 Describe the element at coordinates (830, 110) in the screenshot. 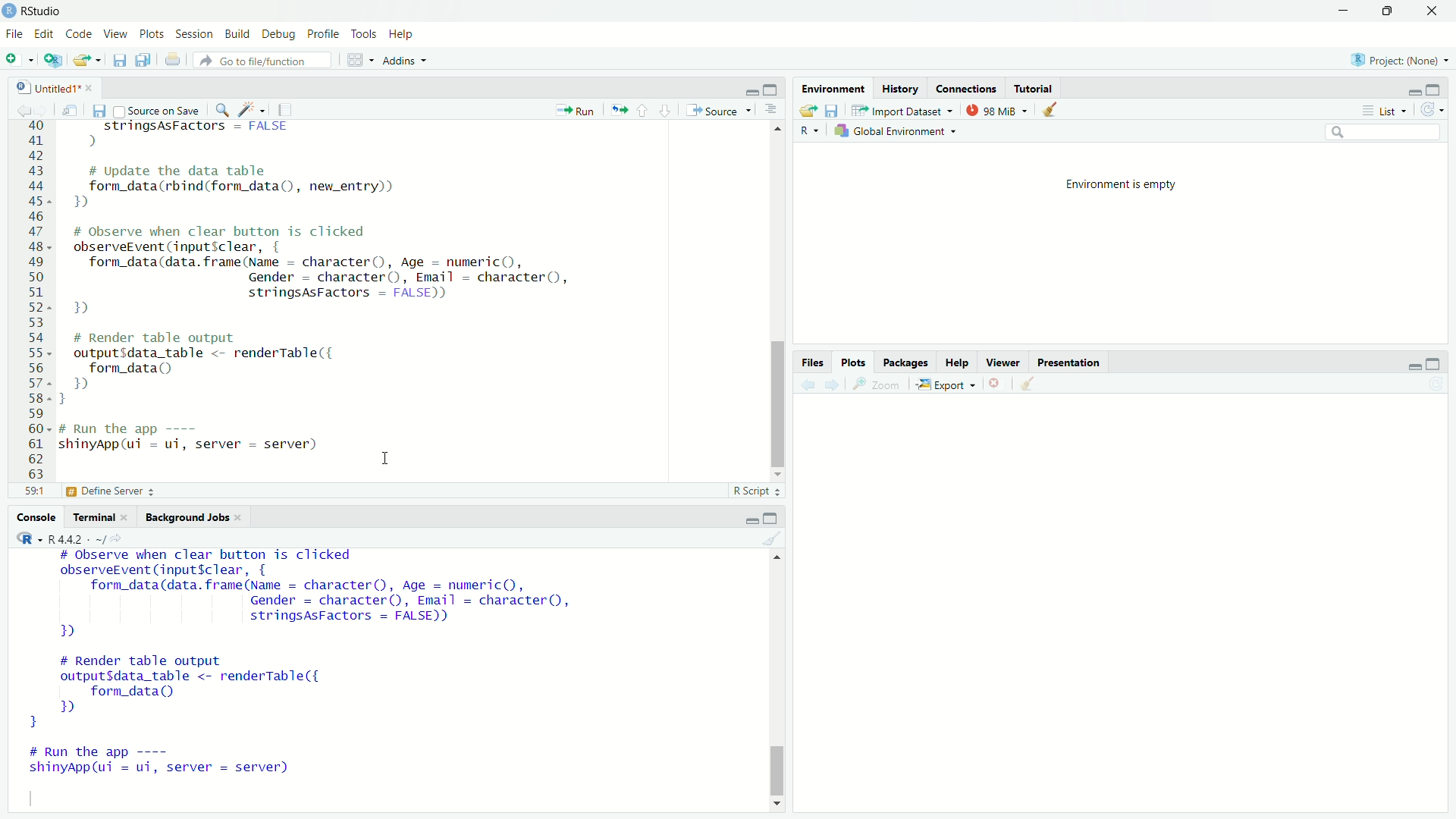

I see `save workspace as` at that location.